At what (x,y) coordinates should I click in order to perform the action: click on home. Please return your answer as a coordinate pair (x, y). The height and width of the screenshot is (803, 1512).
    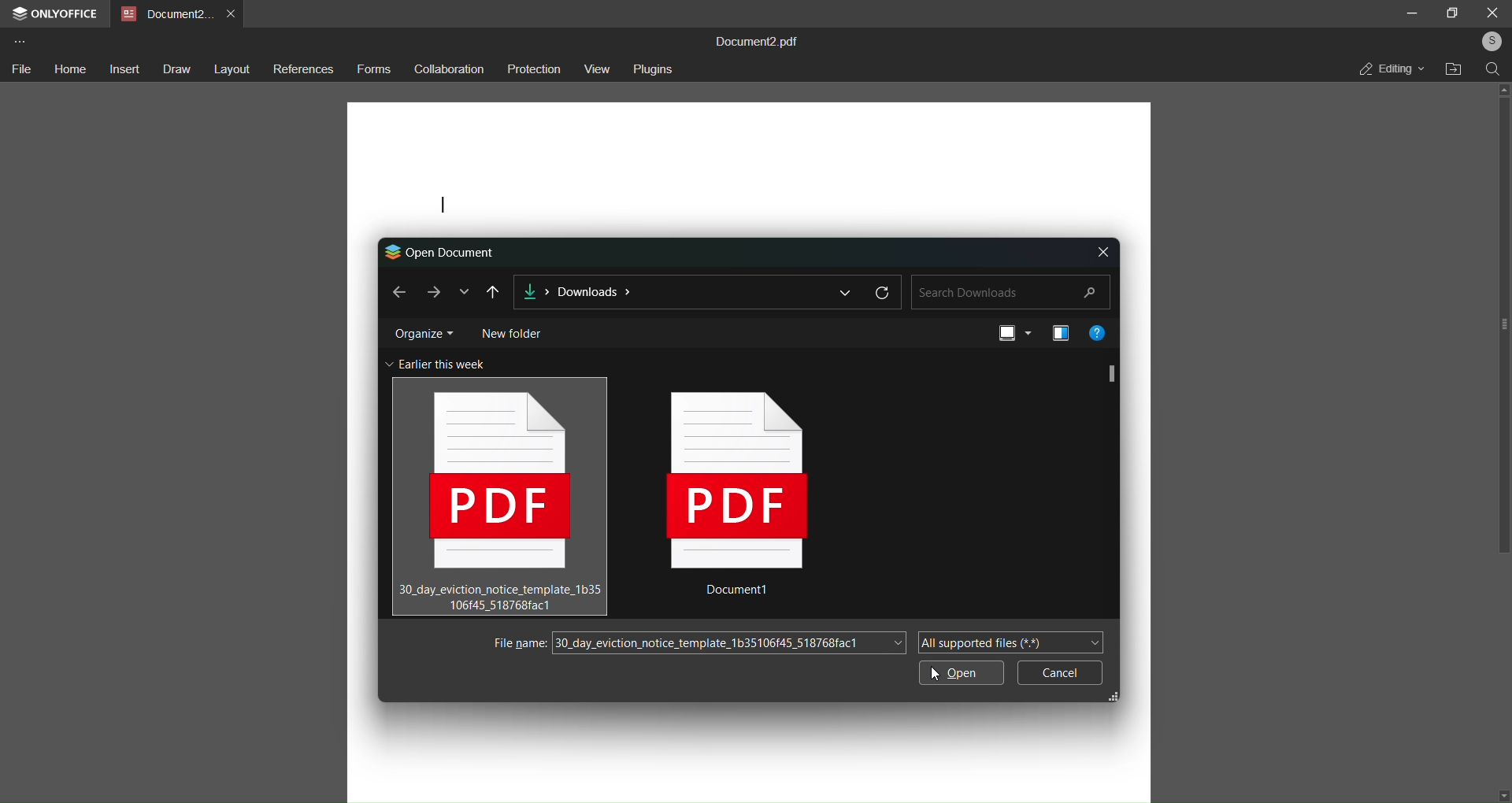
    Looking at the image, I should click on (68, 67).